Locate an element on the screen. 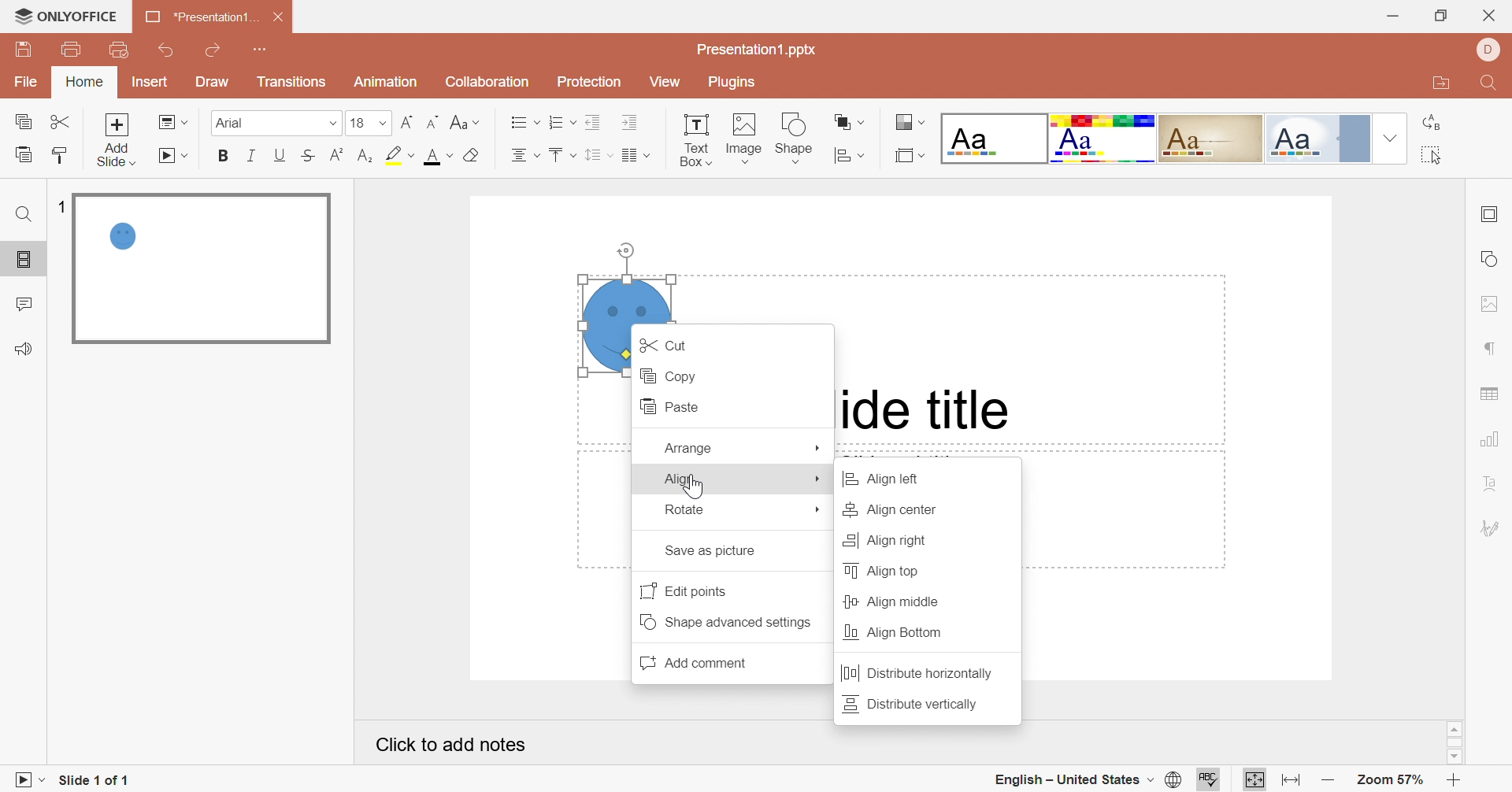  Restore Down is located at coordinates (1440, 18).